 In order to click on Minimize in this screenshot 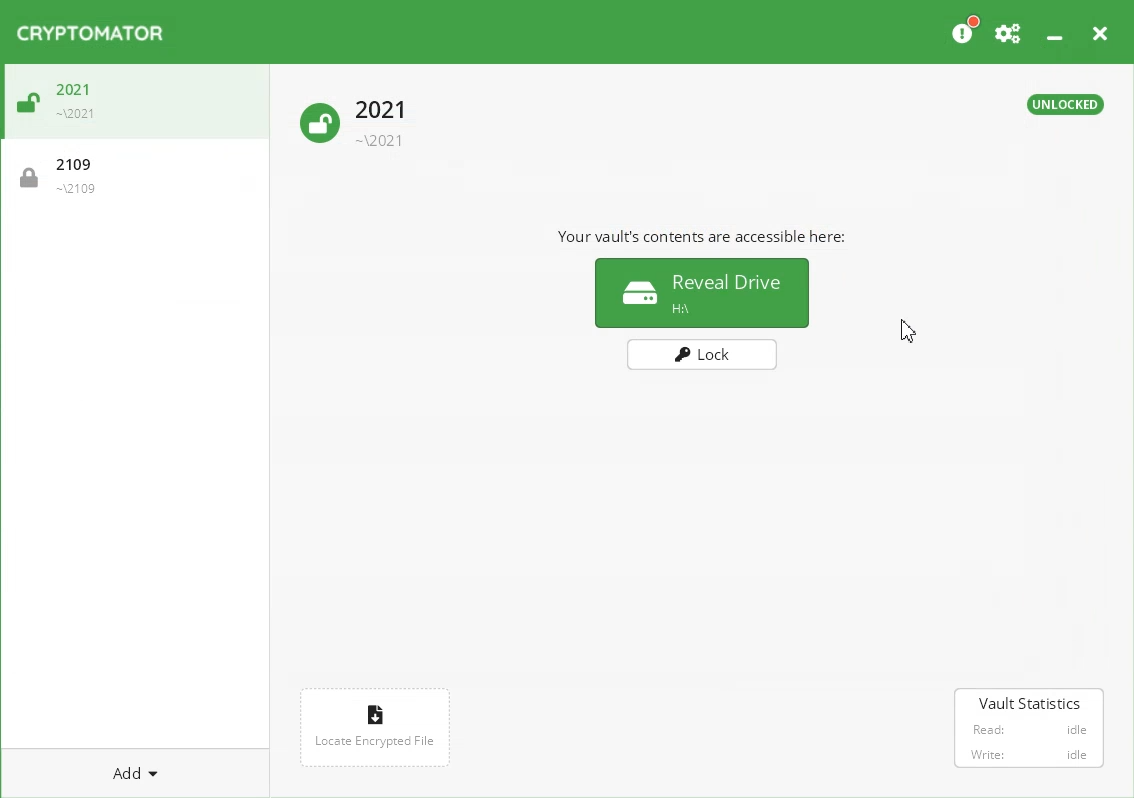, I will do `click(1052, 33)`.